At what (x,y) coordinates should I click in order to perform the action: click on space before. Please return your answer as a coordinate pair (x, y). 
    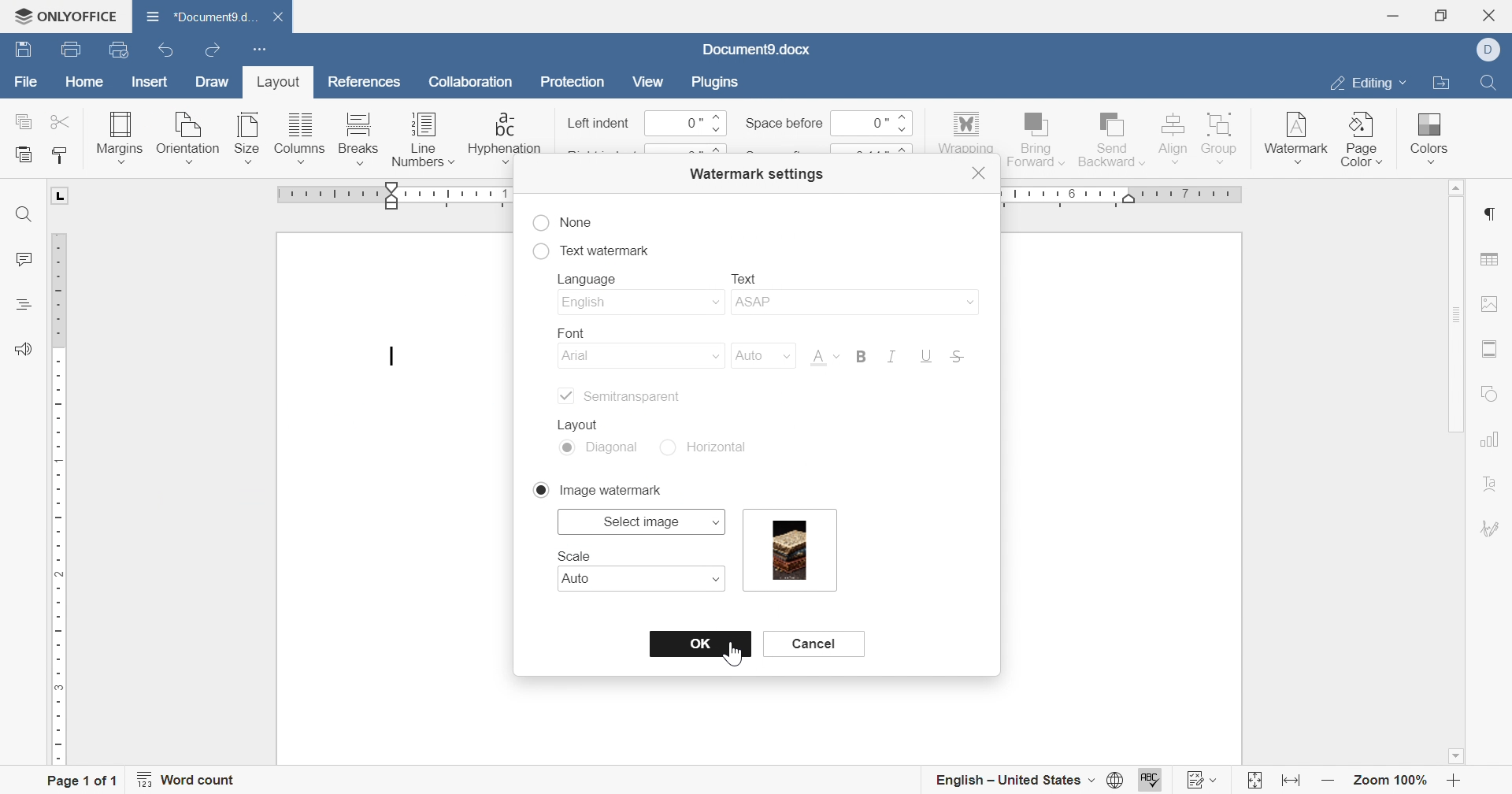
    Looking at the image, I should click on (784, 123).